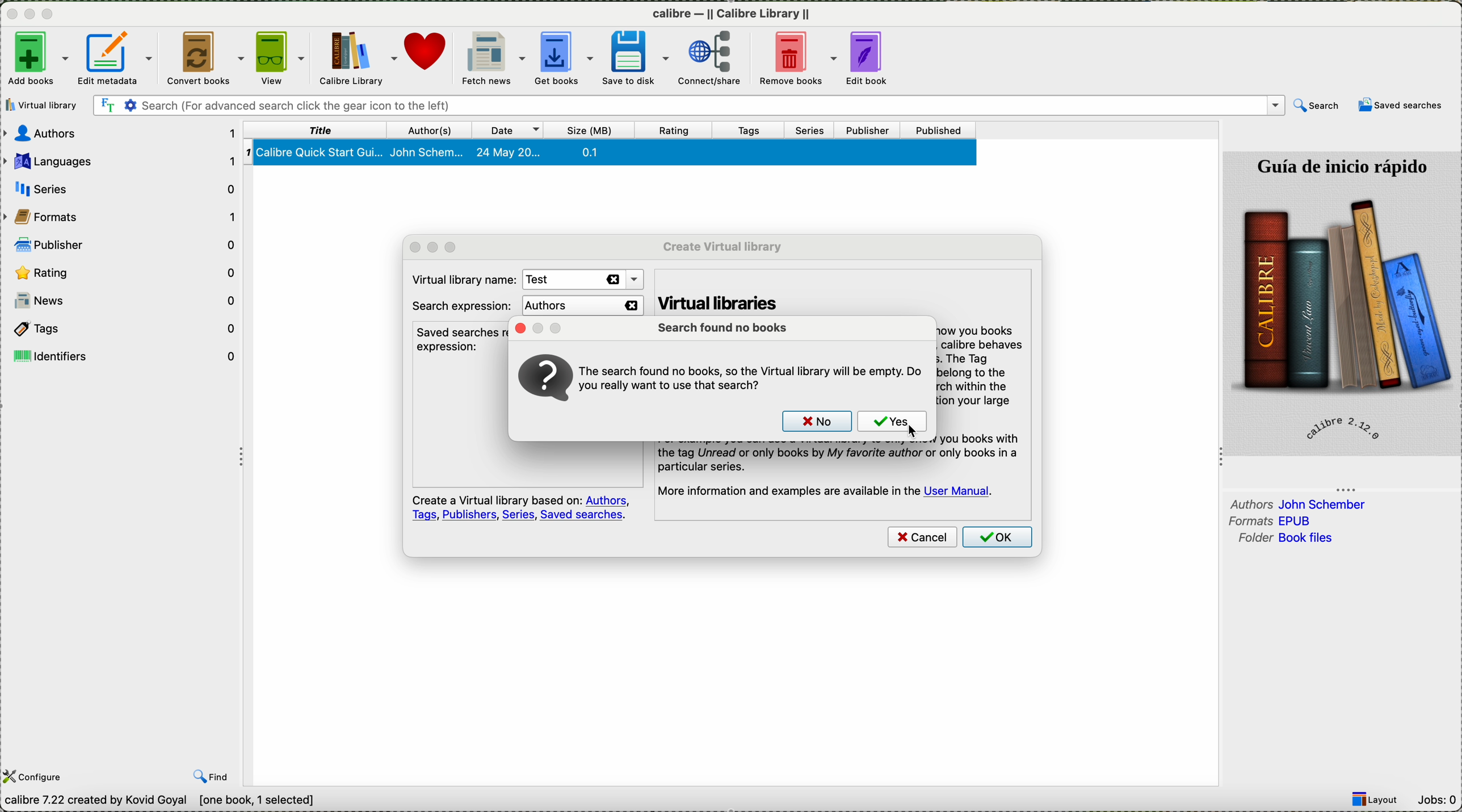 This screenshot has width=1462, height=812. I want to click on the tag Unread or only books by My favorite author or only books in a
particular series.
More information and examples are available in the User Manual., so click(839, 475).